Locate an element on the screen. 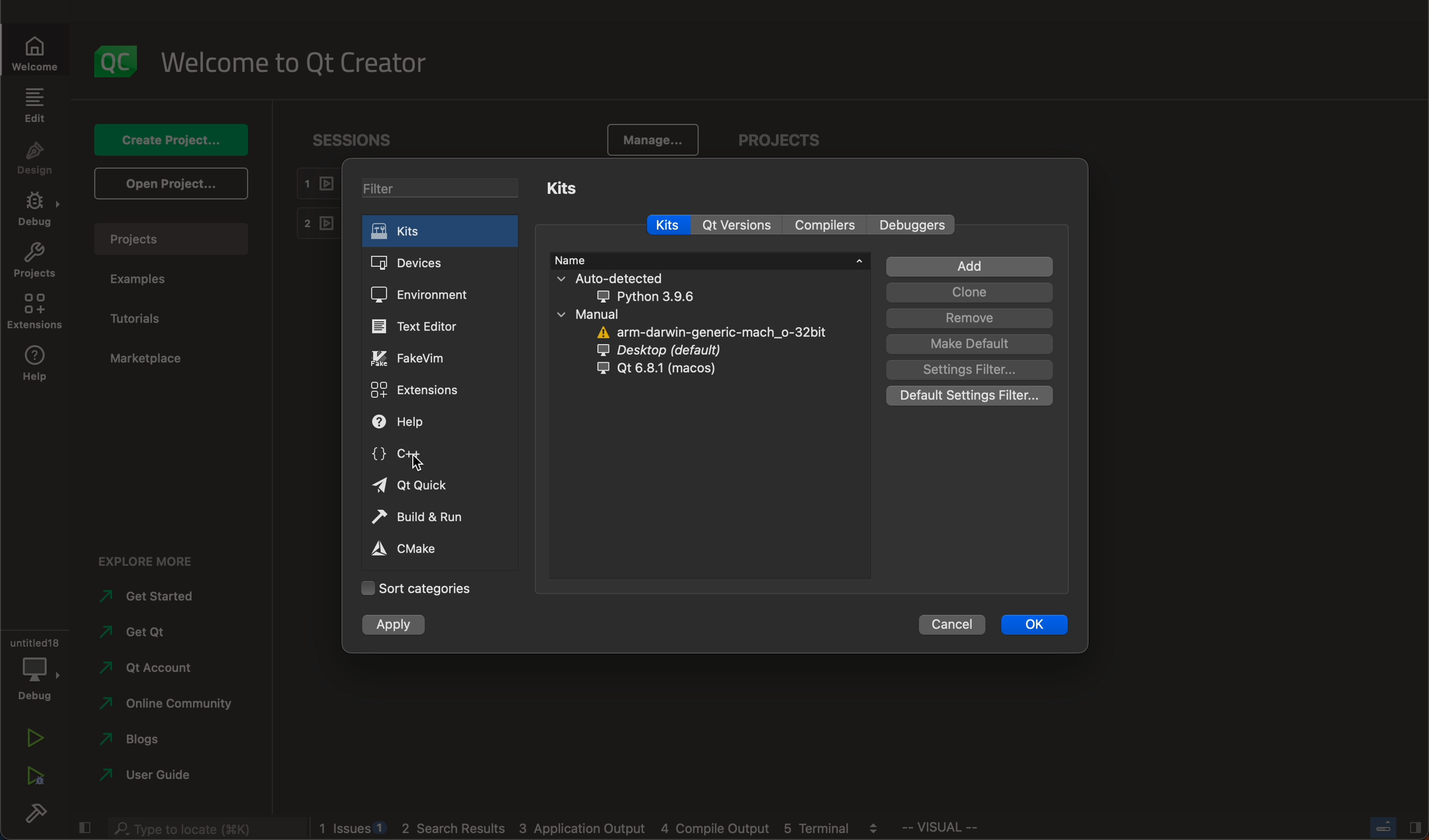  apply is located at coordinates (395, 626).